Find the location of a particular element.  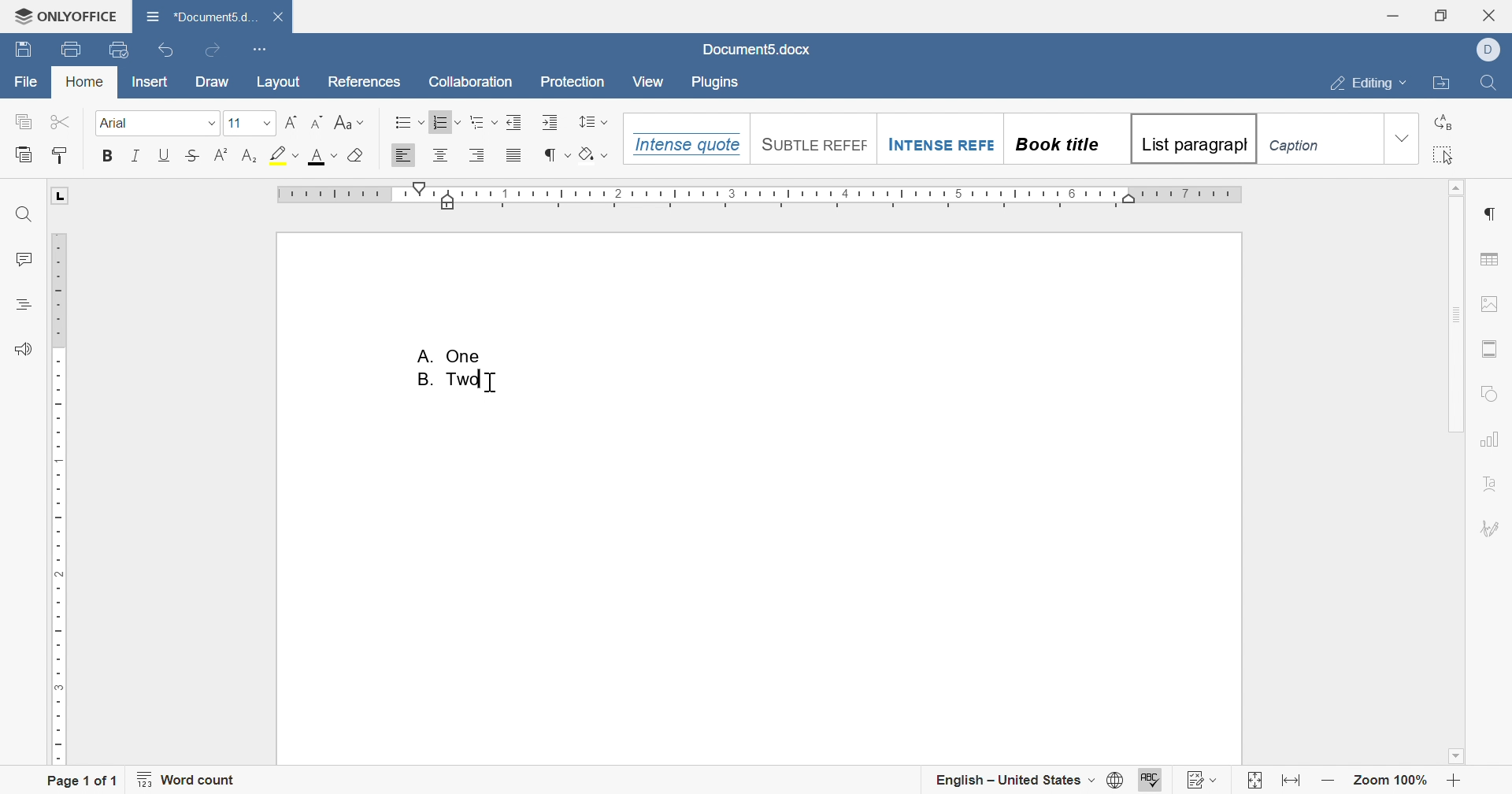

Change case is located at coordinates (350, 122).